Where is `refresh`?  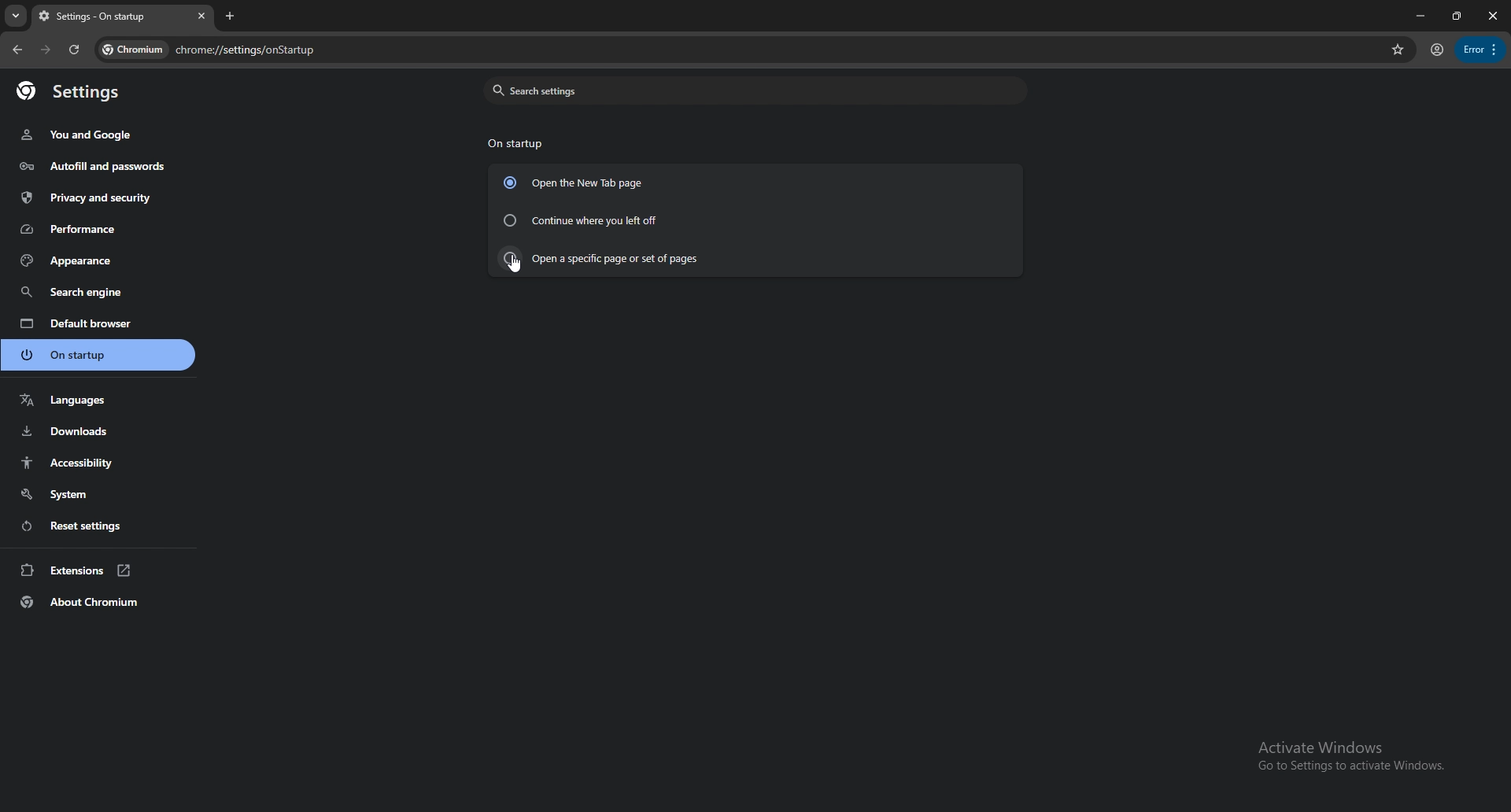
refresh is located at coordinates (74, 50).